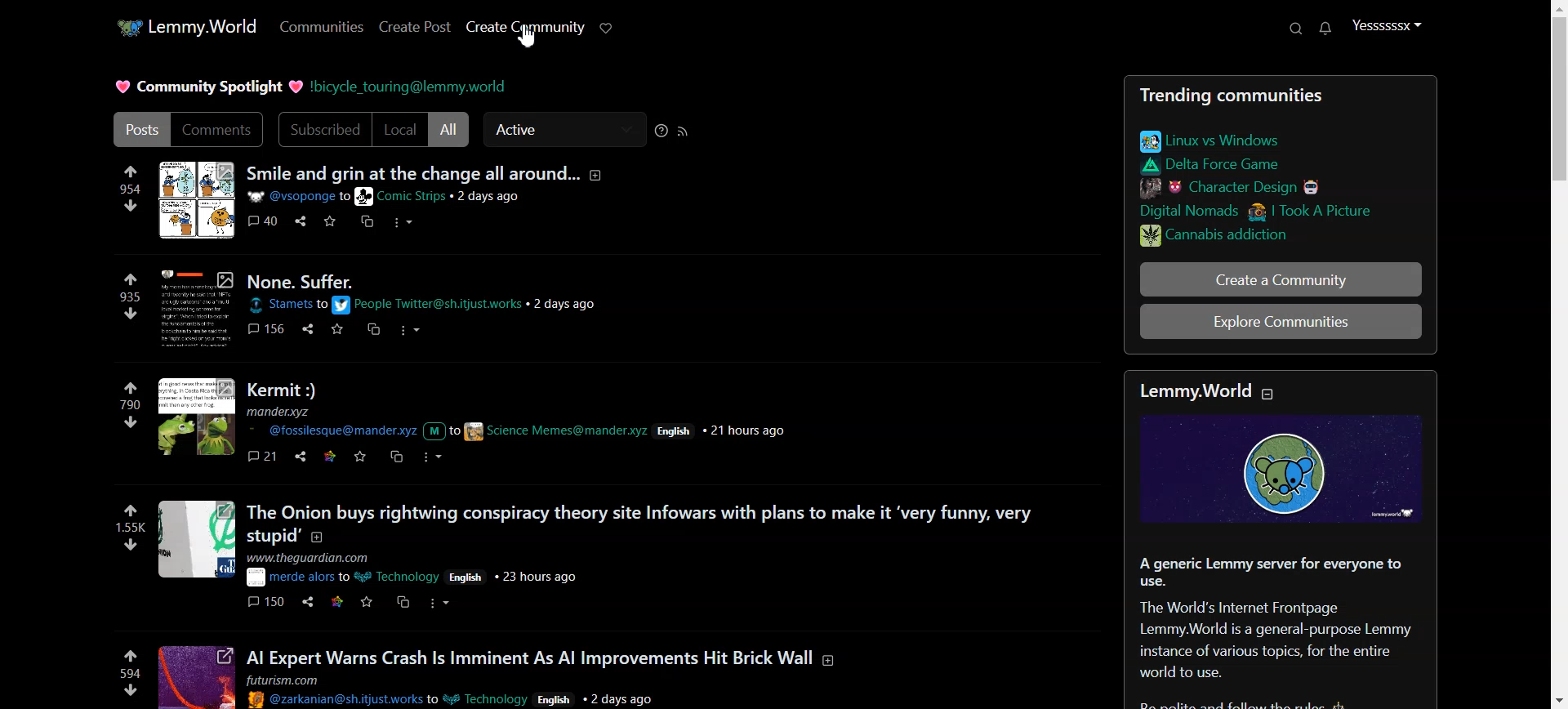  I want to click on Unread message, so click(1324, 29).